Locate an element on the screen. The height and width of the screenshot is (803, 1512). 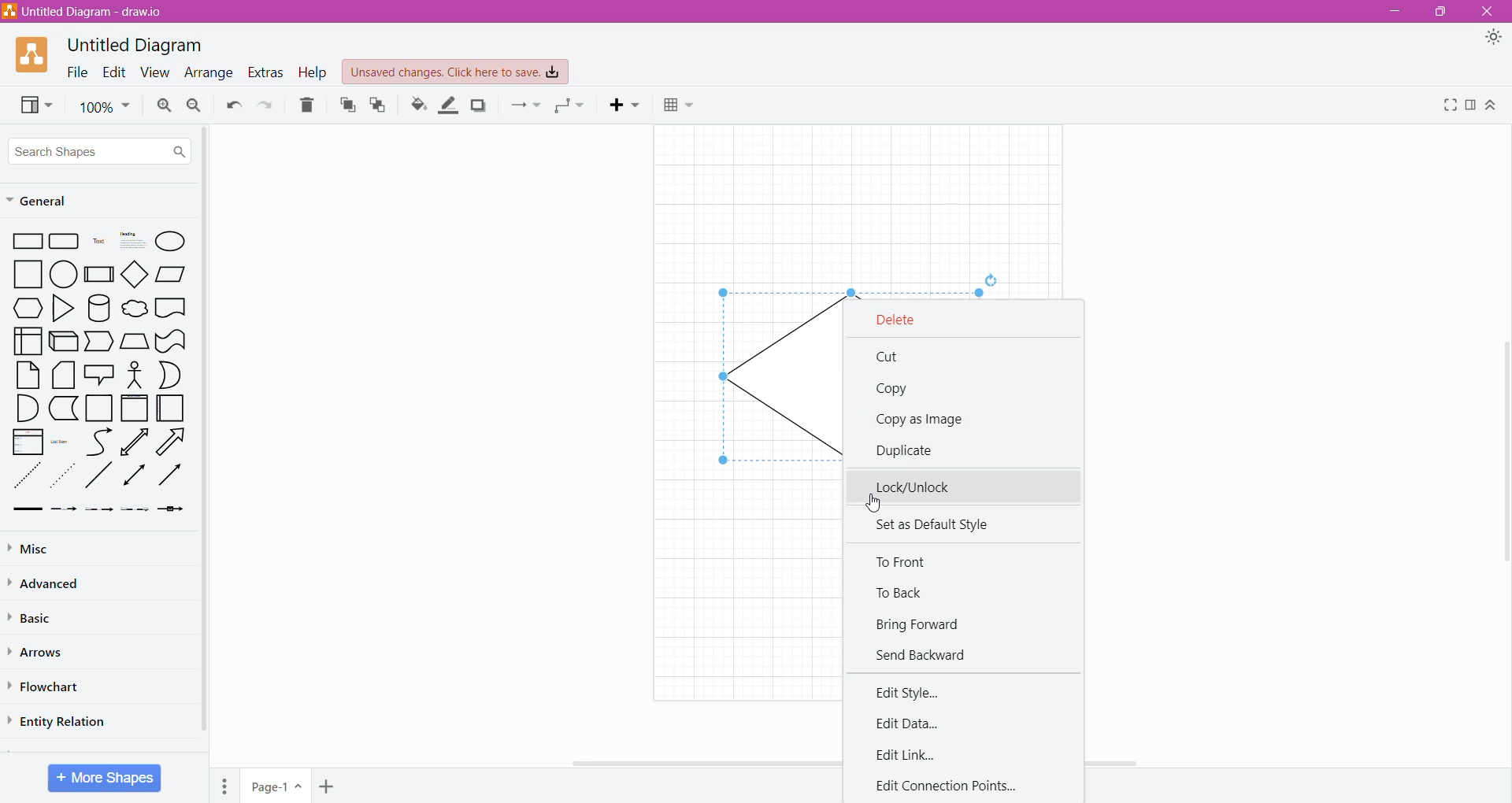
Copy as Image is located at coordinates (926, 419).